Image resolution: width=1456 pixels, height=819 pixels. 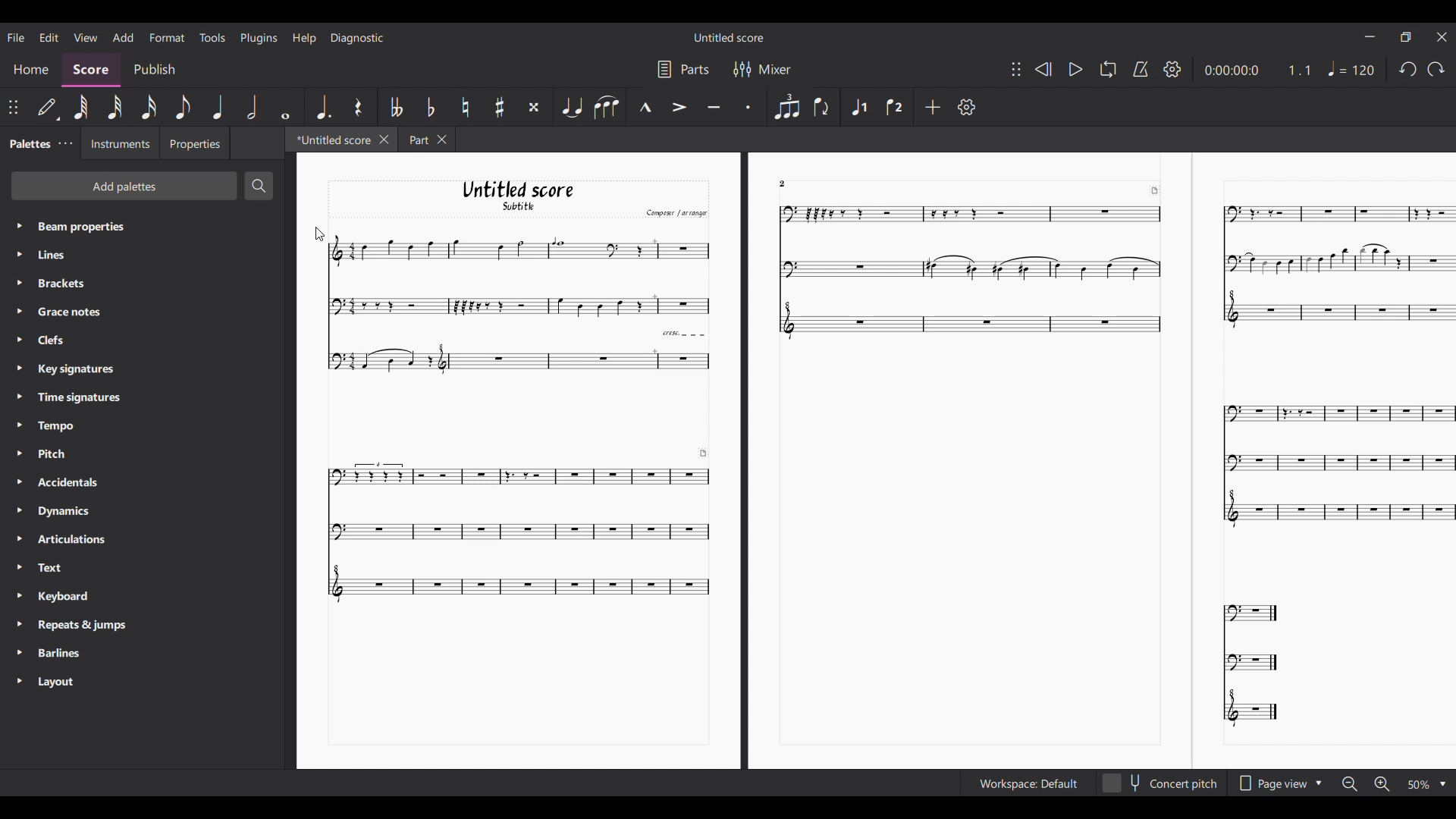 What do you see at coordinates (1370, 36) in the screenshot?
I see `Minimize` at bounding box center [1370, 36].